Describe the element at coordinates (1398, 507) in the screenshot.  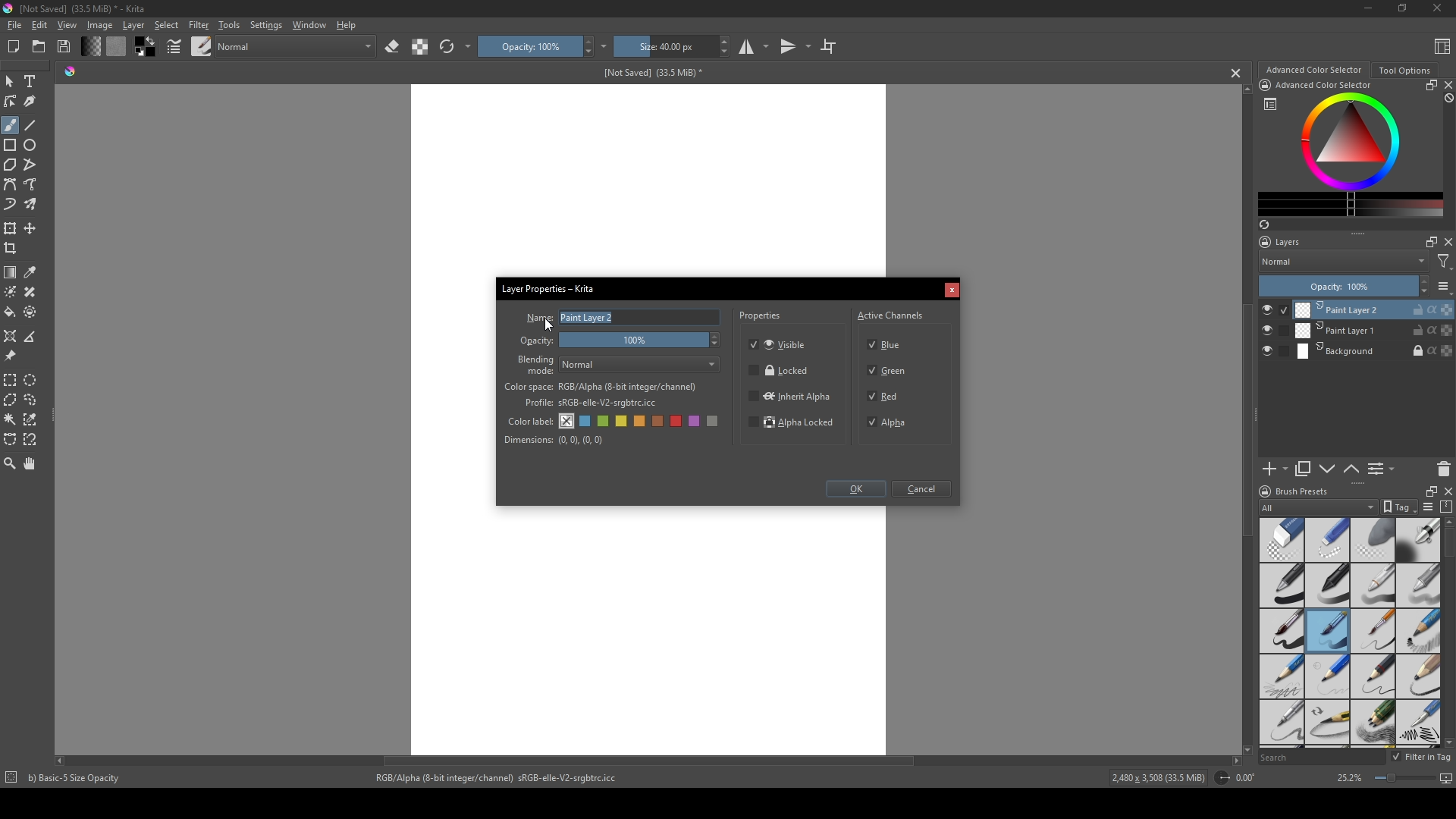
I see `tag` at that location.